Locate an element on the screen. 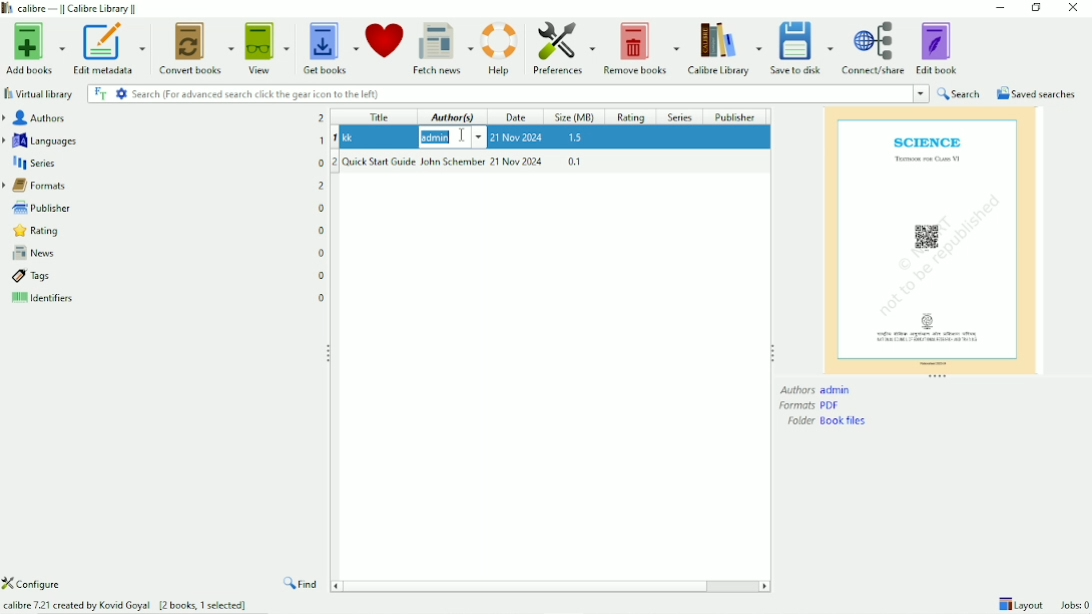  Cursor is located at coordinates (460, 135).